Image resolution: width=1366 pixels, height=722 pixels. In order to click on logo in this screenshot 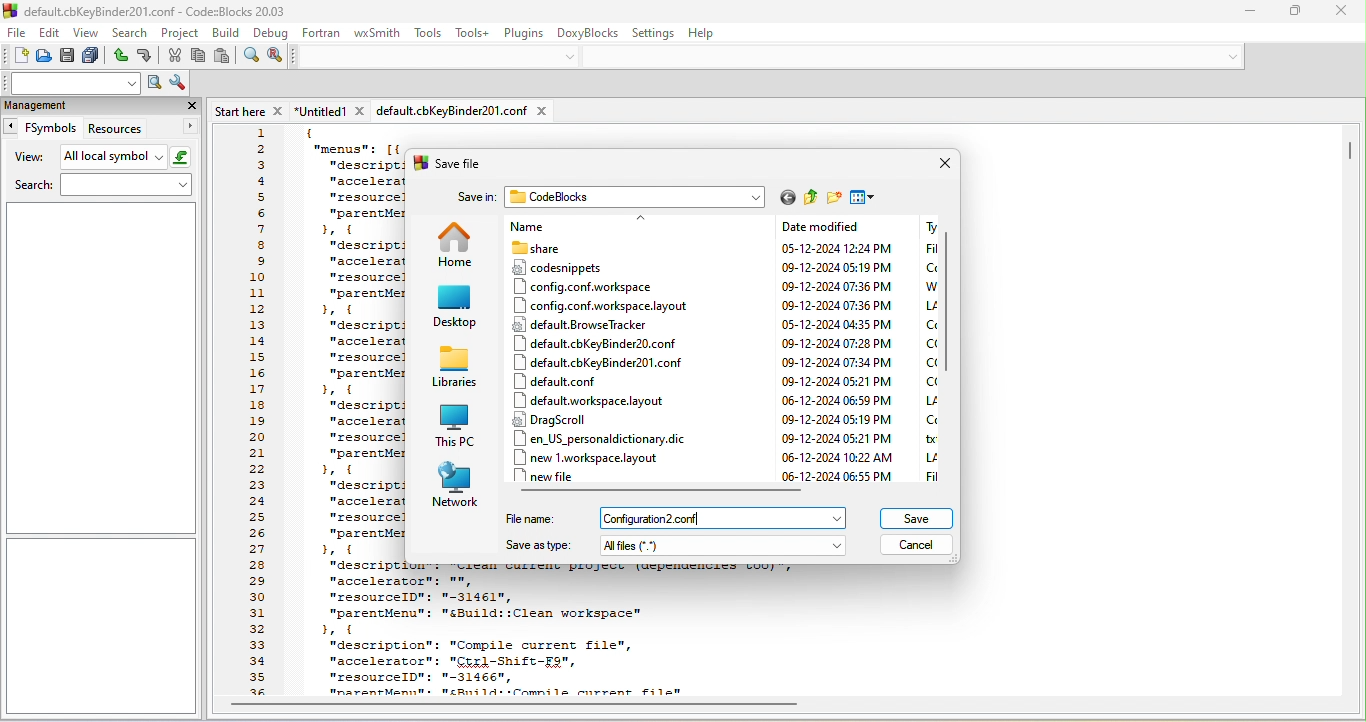, I will do `click(10, 11)`.